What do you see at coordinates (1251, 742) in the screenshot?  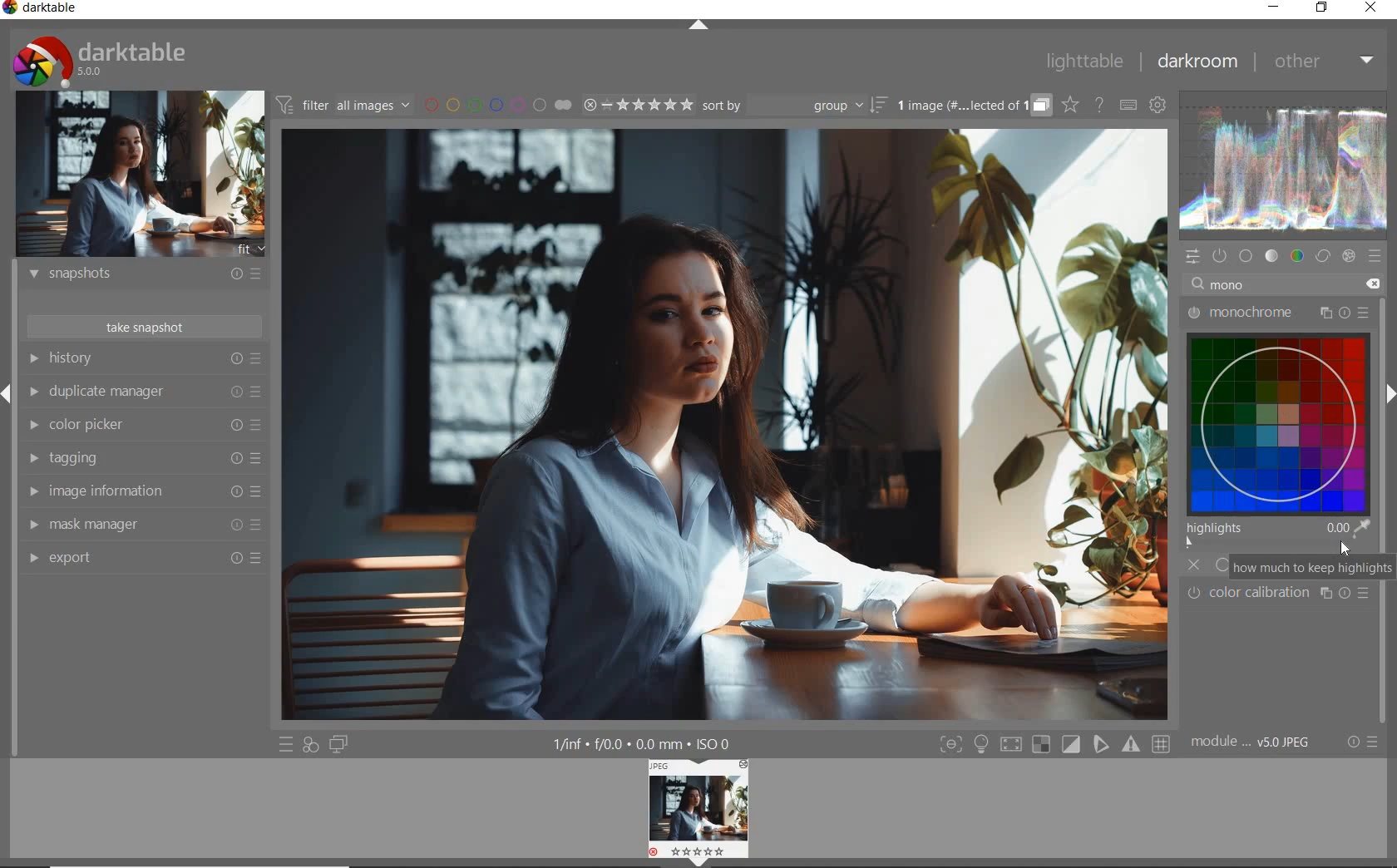 I see `module..v50JPEG` at bounding box center [1251, 742].